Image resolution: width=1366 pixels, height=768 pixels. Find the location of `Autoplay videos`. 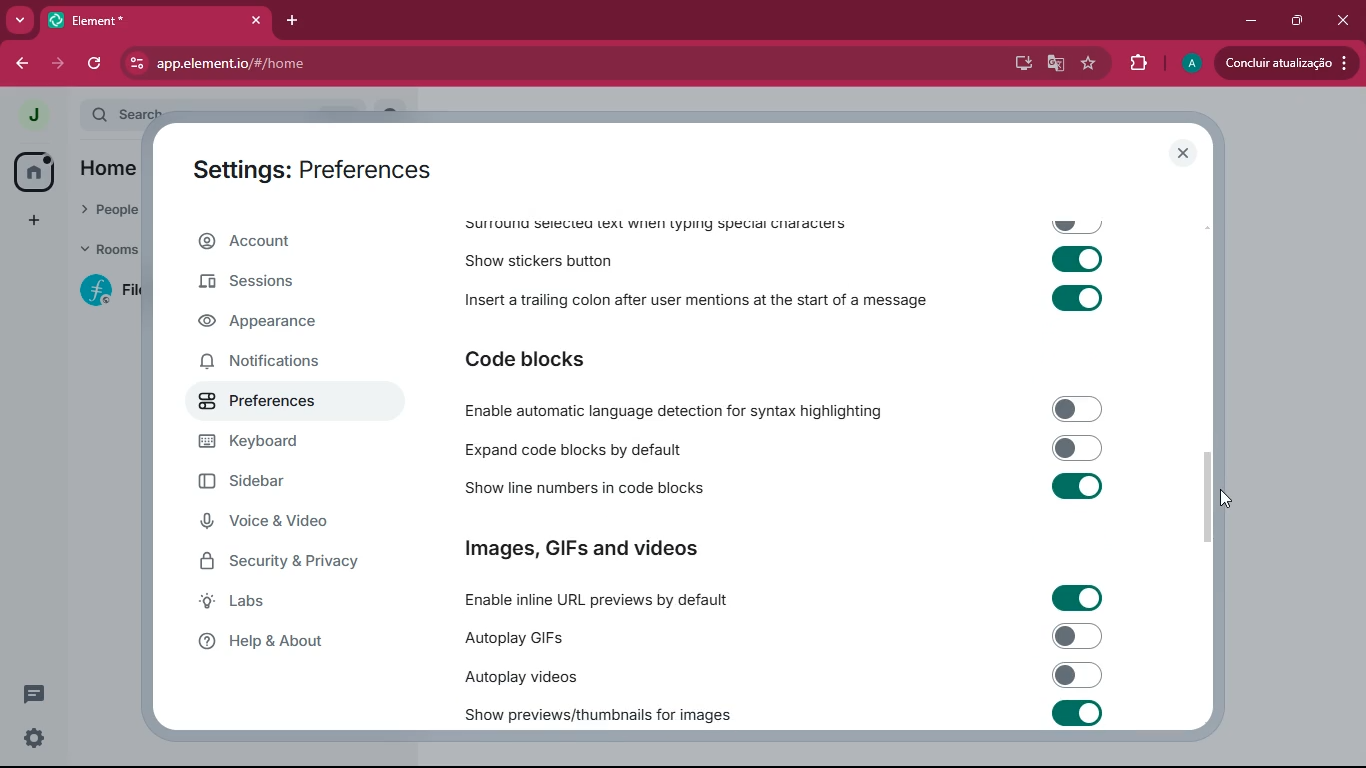

Autoplay videos is located at coordinates (783, 676).